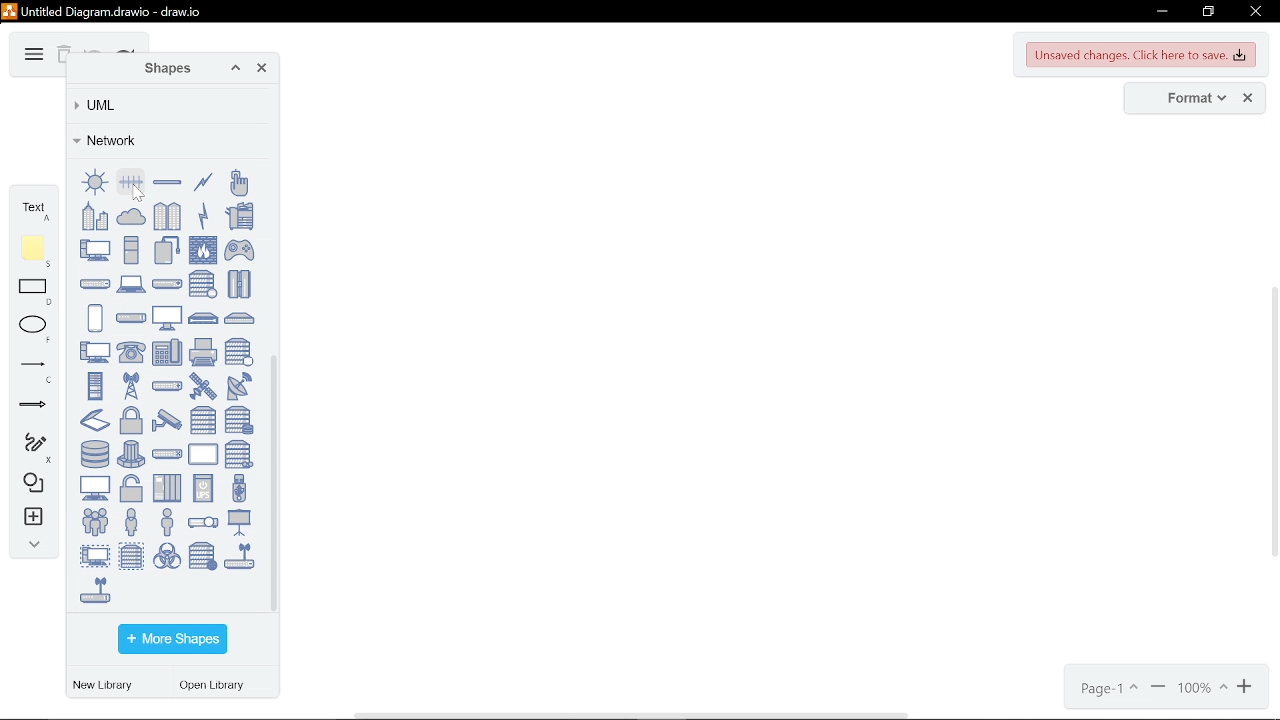 The width and height of the screenshot is (1280, 720). Describe the element at coordinates (276, 481) in the screenshot. I see `vertical scrollbar` at that location.